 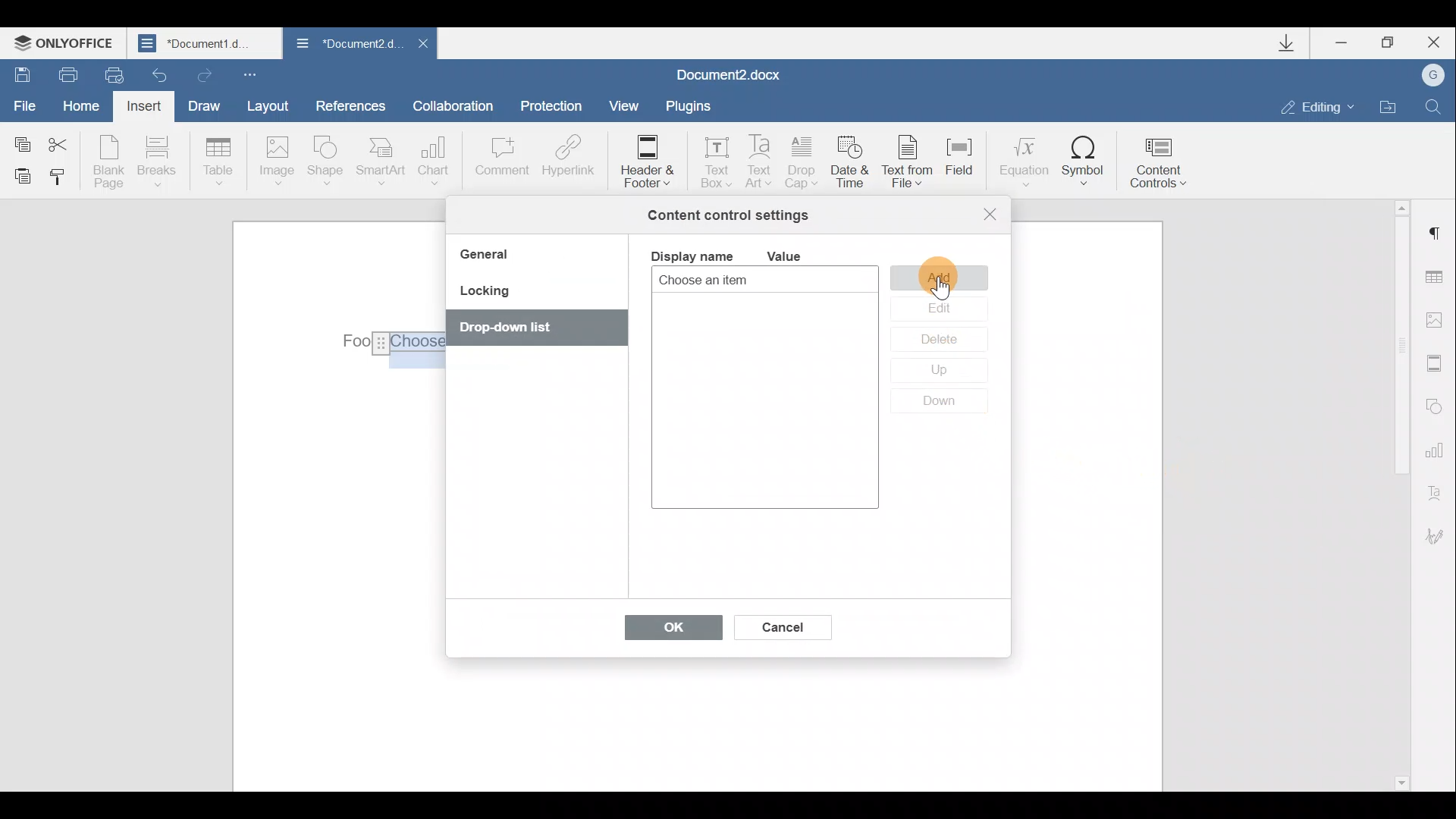 What do you see at coordinates (60, 74) in the screenshot?
I see `Print file` at bounding box center [60, 74].